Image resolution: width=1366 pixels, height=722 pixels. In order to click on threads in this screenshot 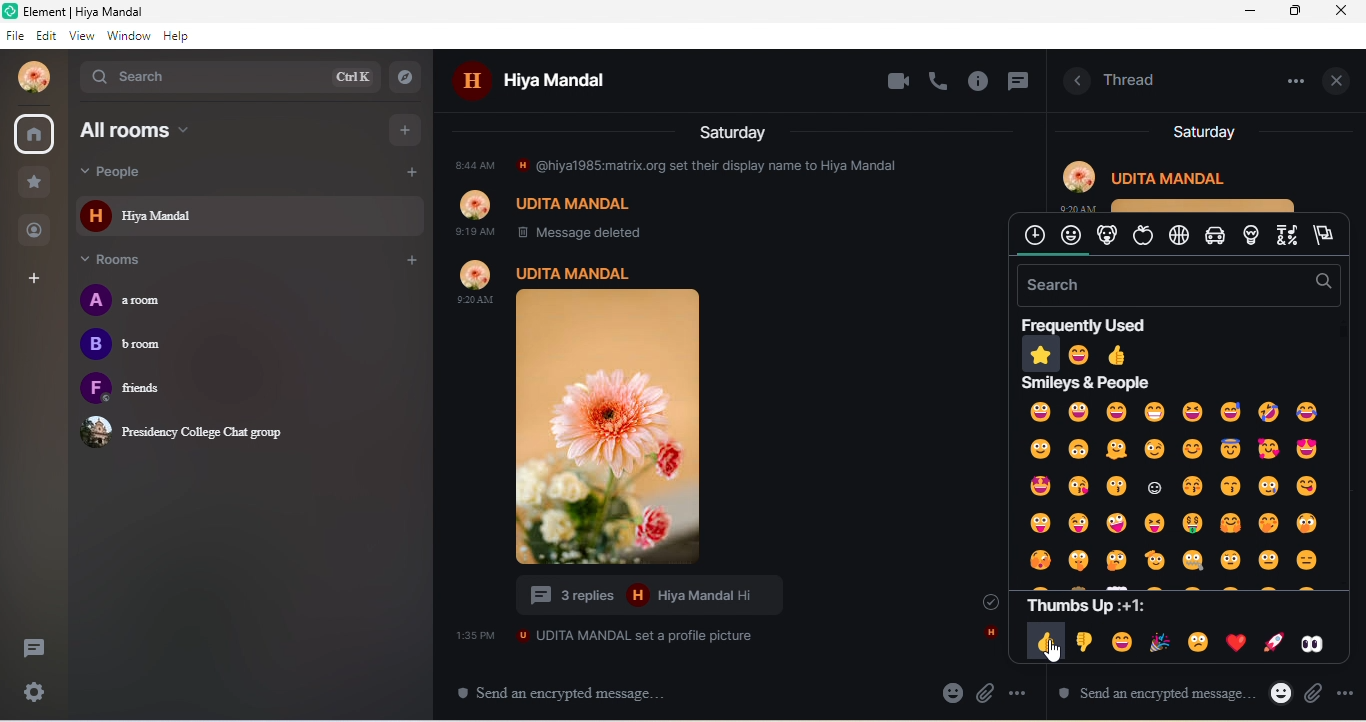, I will do `click(1017, 84)`.